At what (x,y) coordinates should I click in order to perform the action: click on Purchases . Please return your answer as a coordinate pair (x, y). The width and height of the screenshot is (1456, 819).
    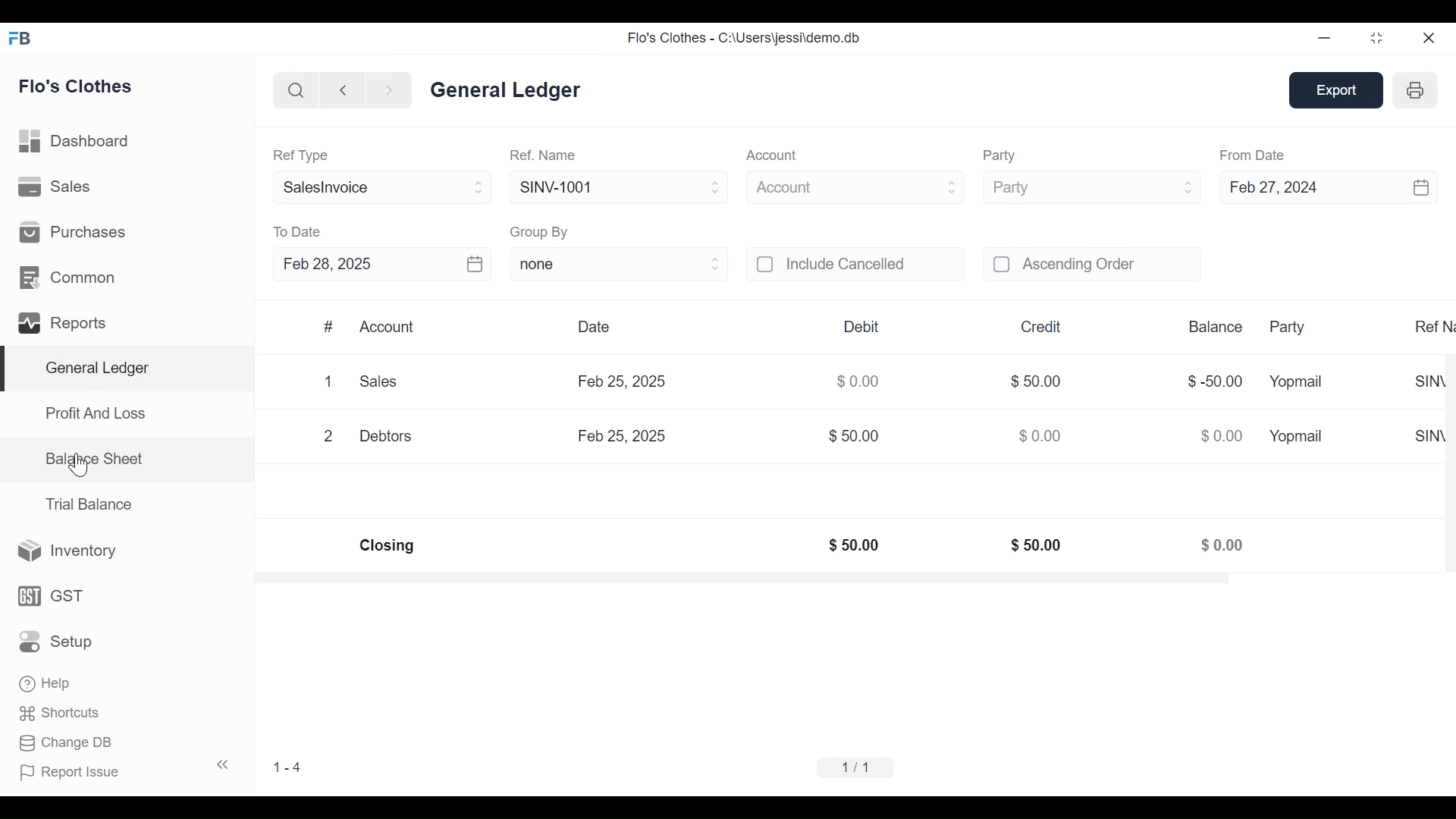
    Looking at the image, I should click on (73, 231).